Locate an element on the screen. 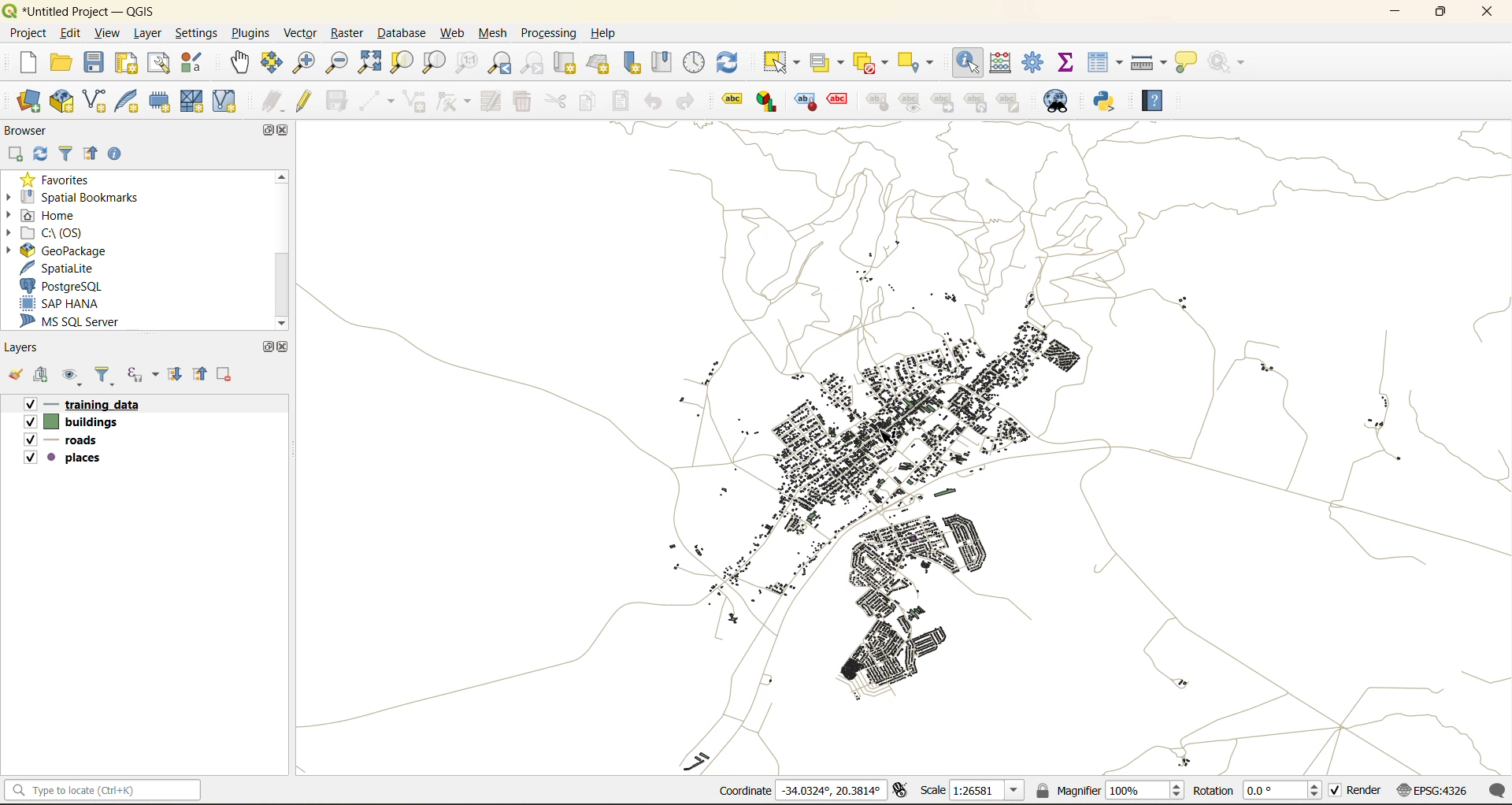 The height and width of the screenshot is (805, 1512). copy is located at coordinates (591, 102).